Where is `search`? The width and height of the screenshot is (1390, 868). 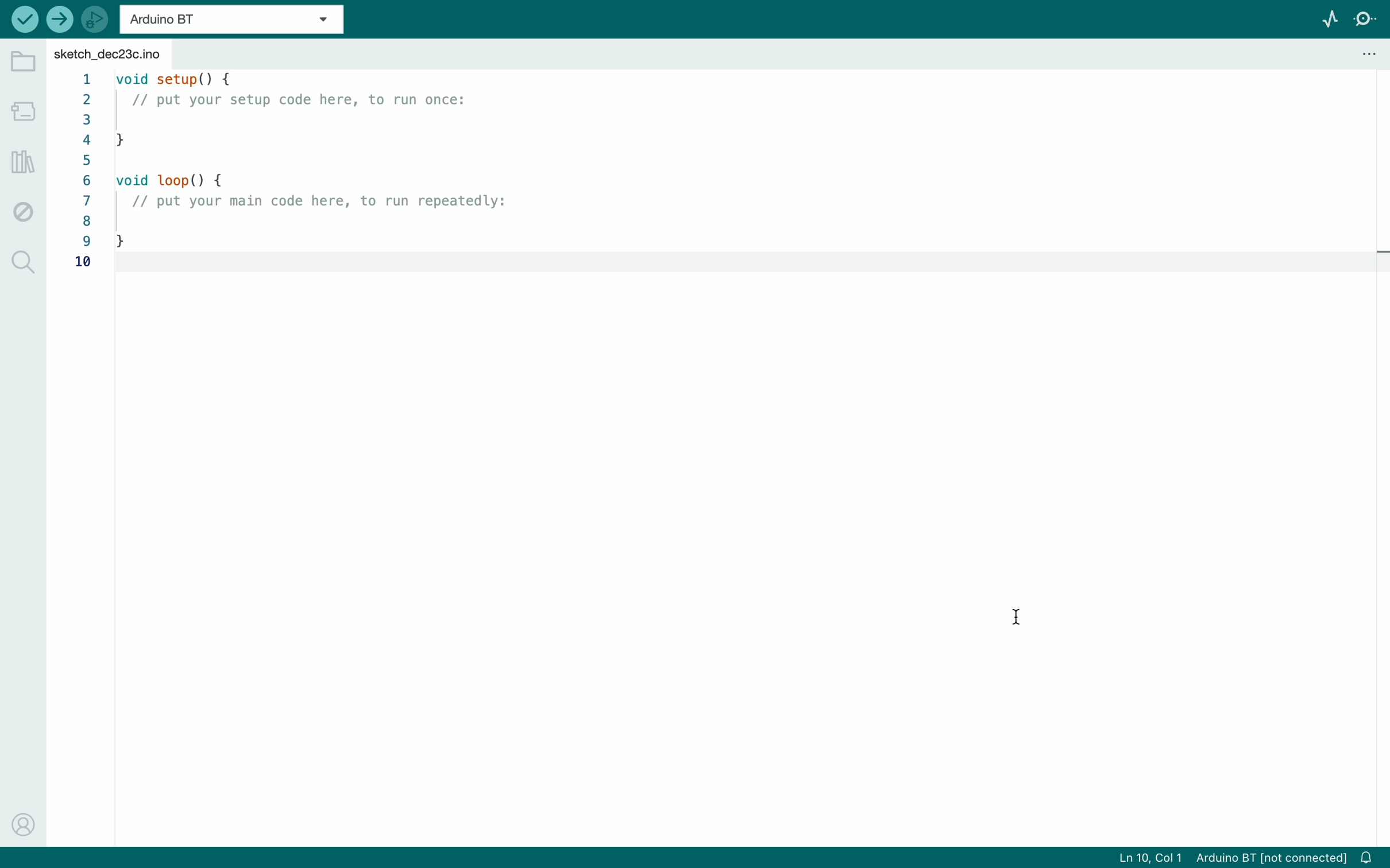
search is located at coordinates (22, 263).